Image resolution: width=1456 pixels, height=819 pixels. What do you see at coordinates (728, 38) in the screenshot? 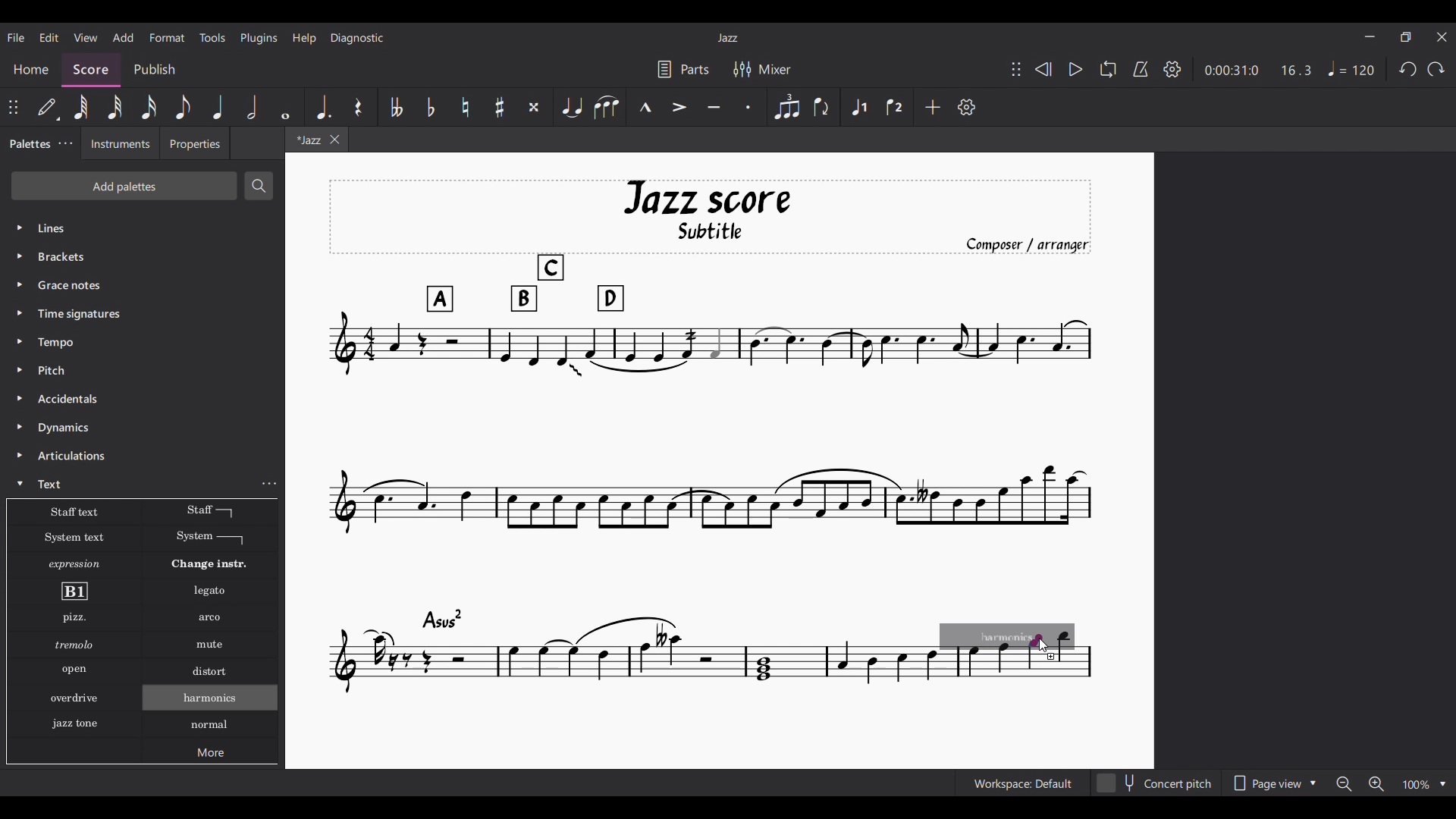
I see `Current score title` at bounding box center [728, 38].